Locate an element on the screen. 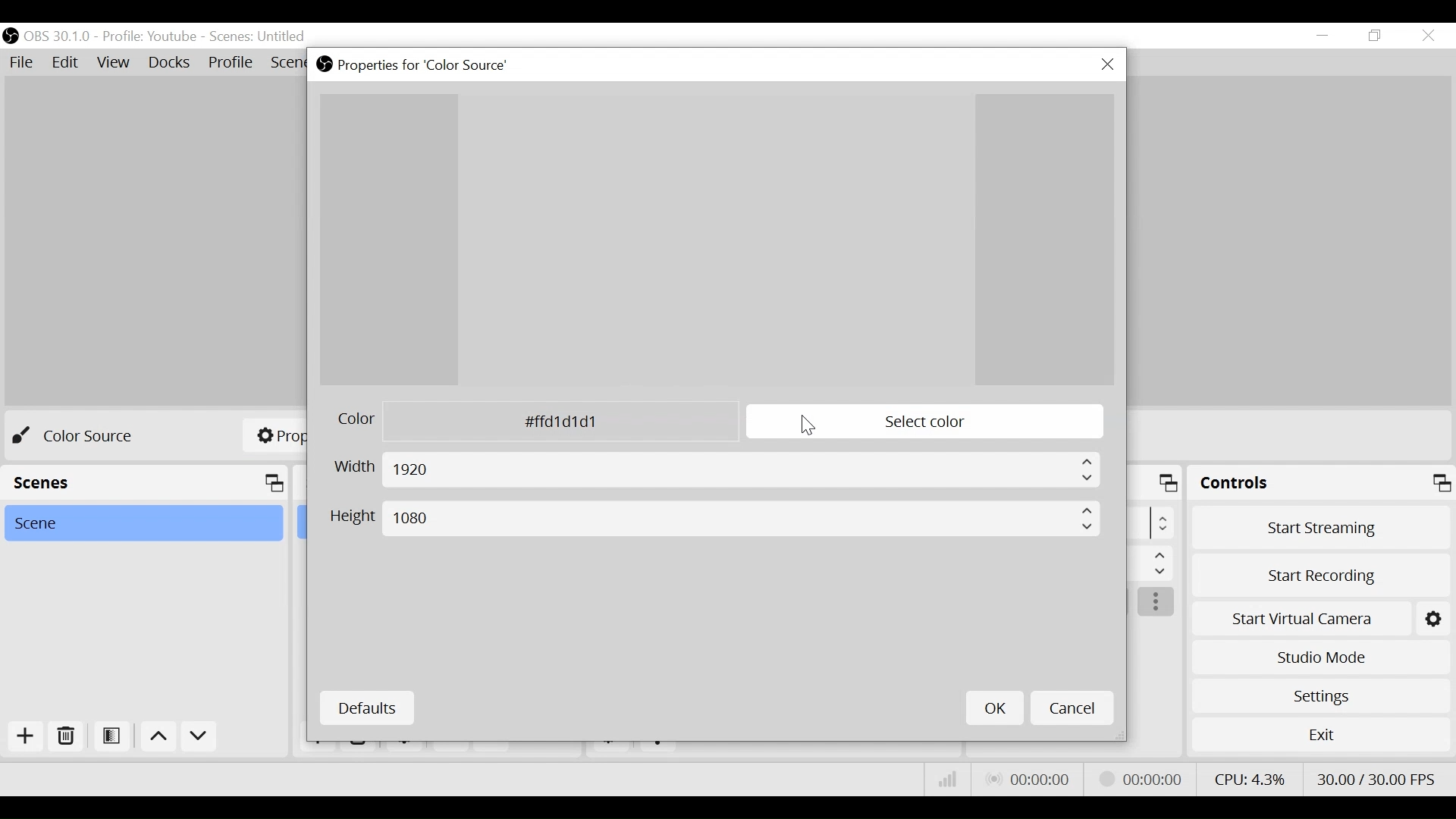 This screenshot has height=819, width=1456. OK is located at coordinates (993, 709).